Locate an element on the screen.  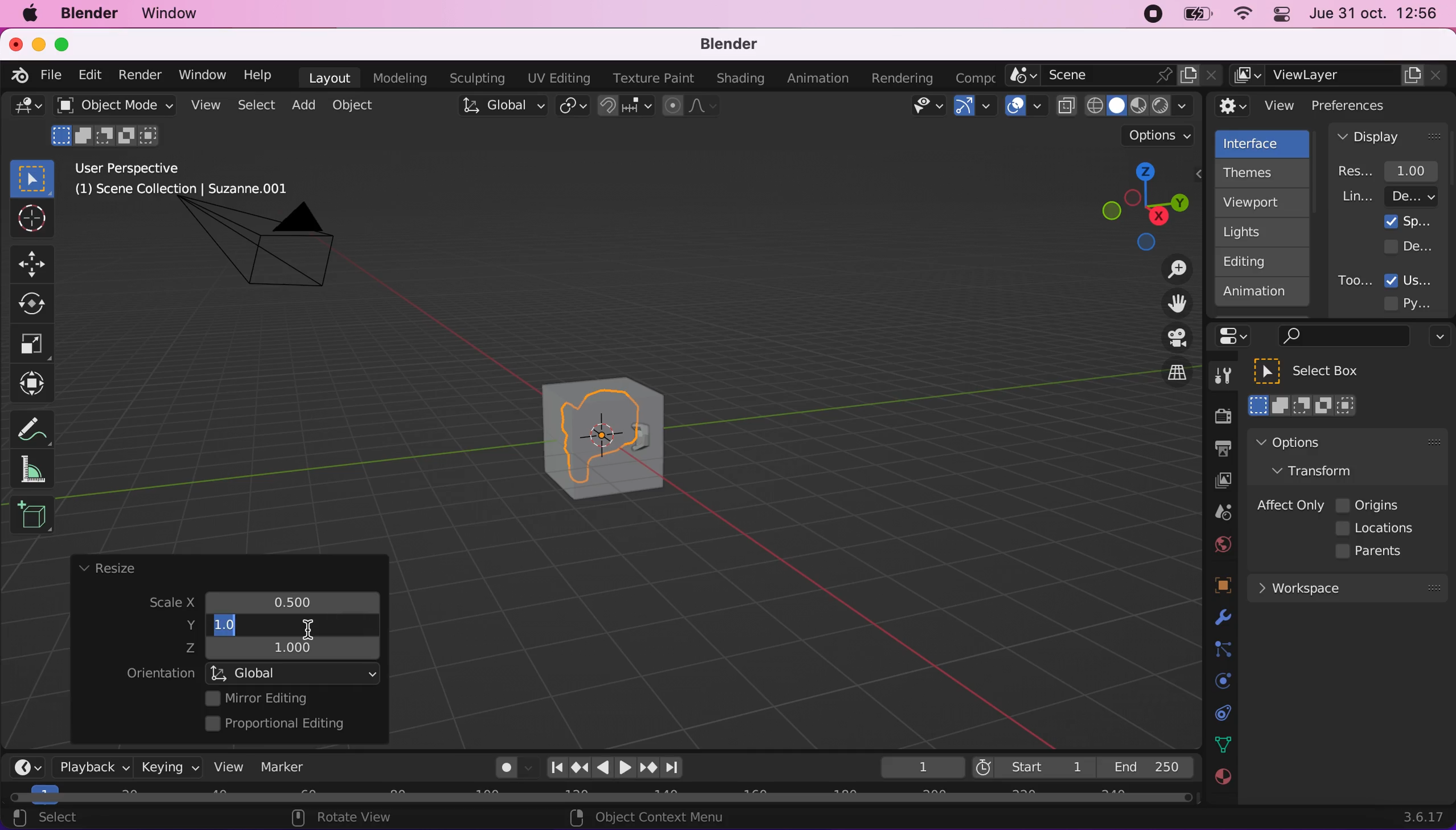
switch the current view is located at coordinates (1165, 383).